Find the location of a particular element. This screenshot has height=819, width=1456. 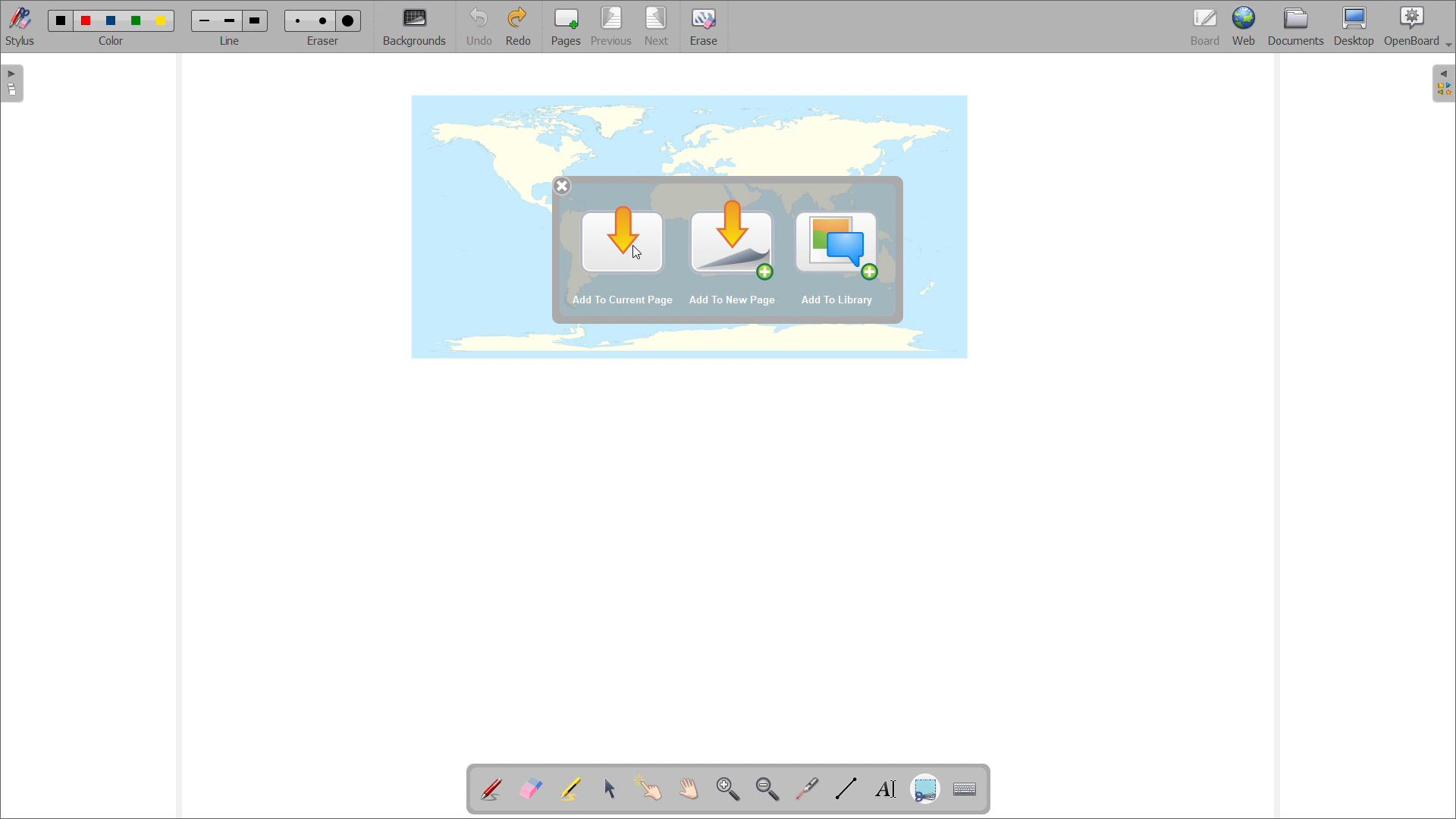

color is located at coordinates (111, 41).